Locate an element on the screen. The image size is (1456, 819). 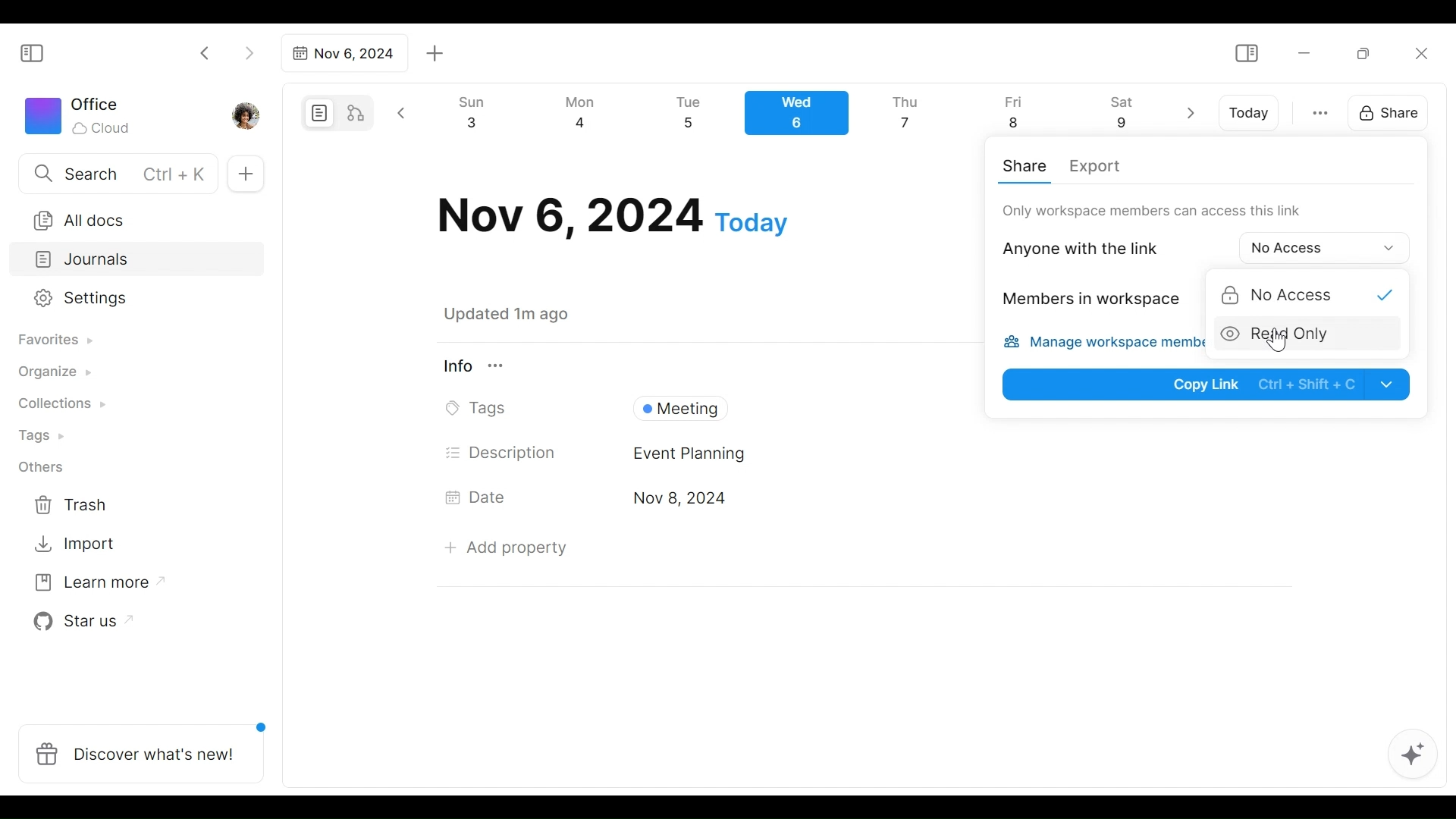
Read only is located at coordinates (1288, 333).